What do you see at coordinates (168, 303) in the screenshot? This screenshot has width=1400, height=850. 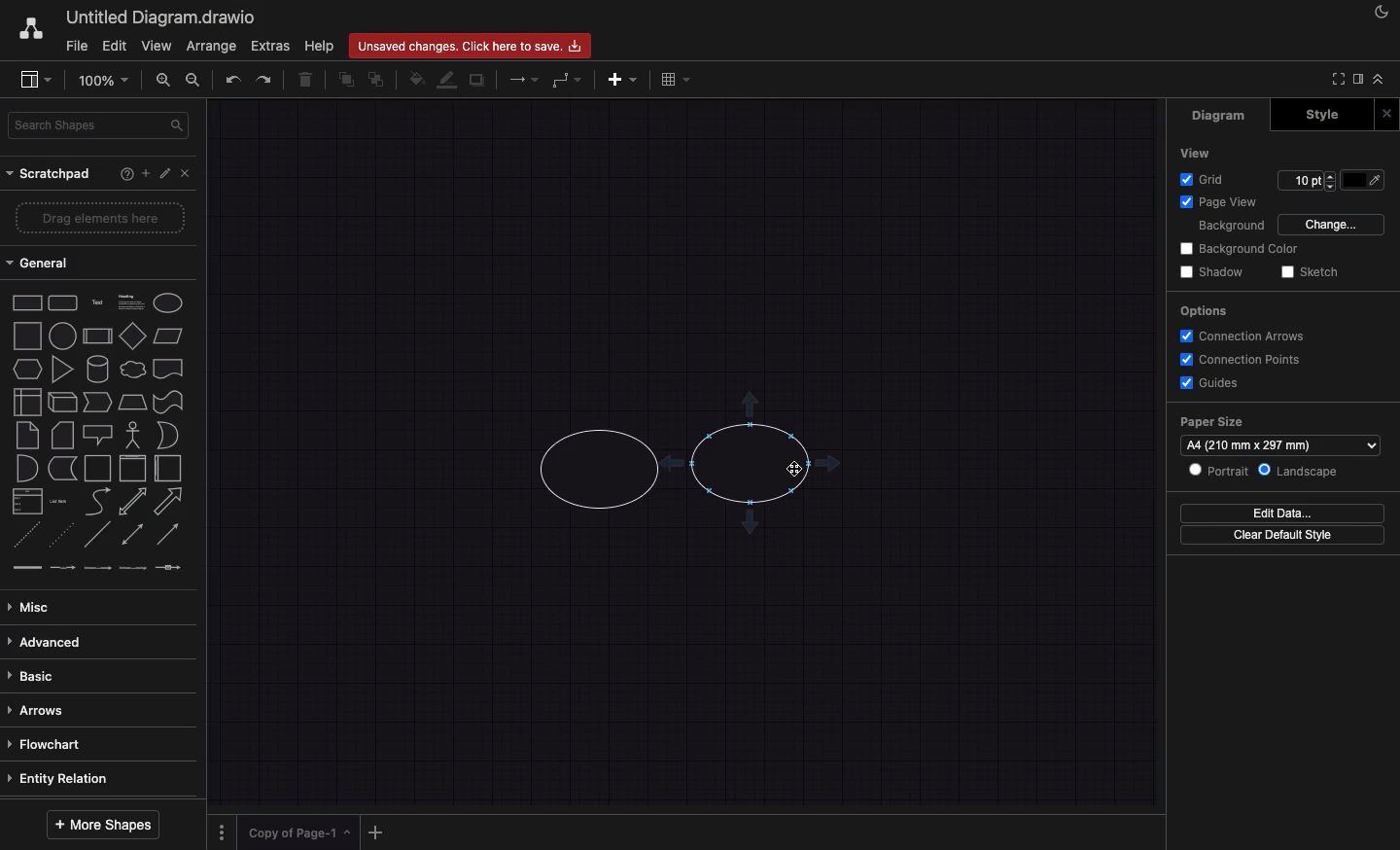 I see `ellipse` at bounding box center [168, 303].